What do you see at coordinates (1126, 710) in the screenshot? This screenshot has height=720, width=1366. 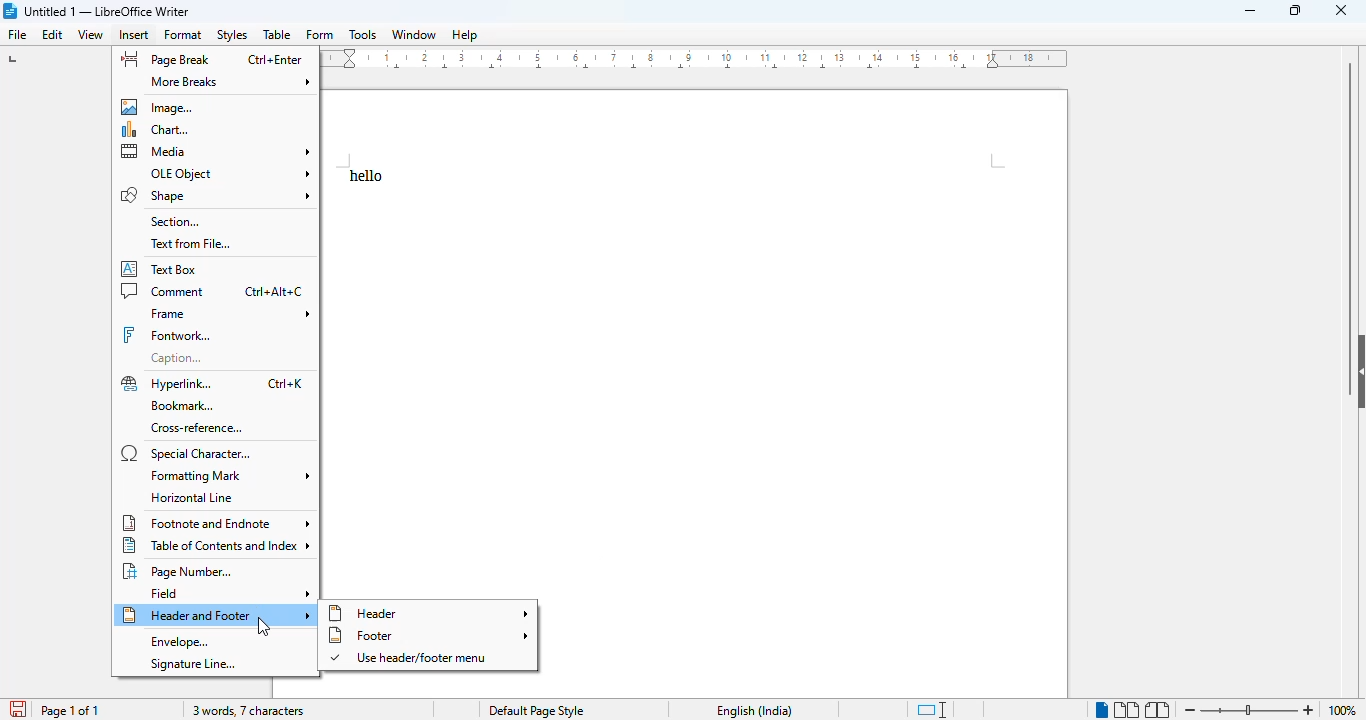 I see `multi-page view` at bounding box center [1126, 710].